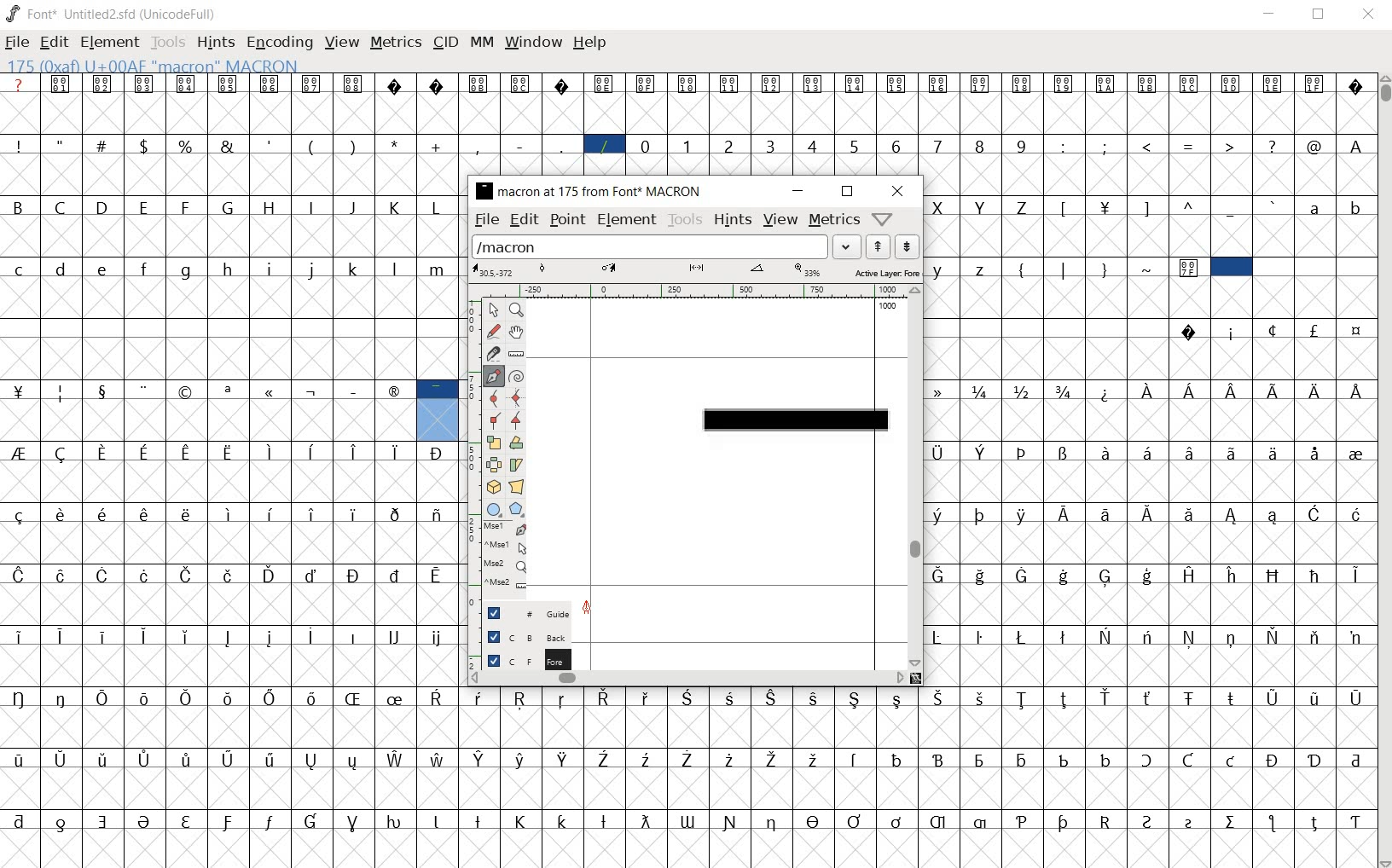  What do you see at coordinates (528, 660) in the screenshot?
I see `foreground layer` at bounding box center [528, 660].